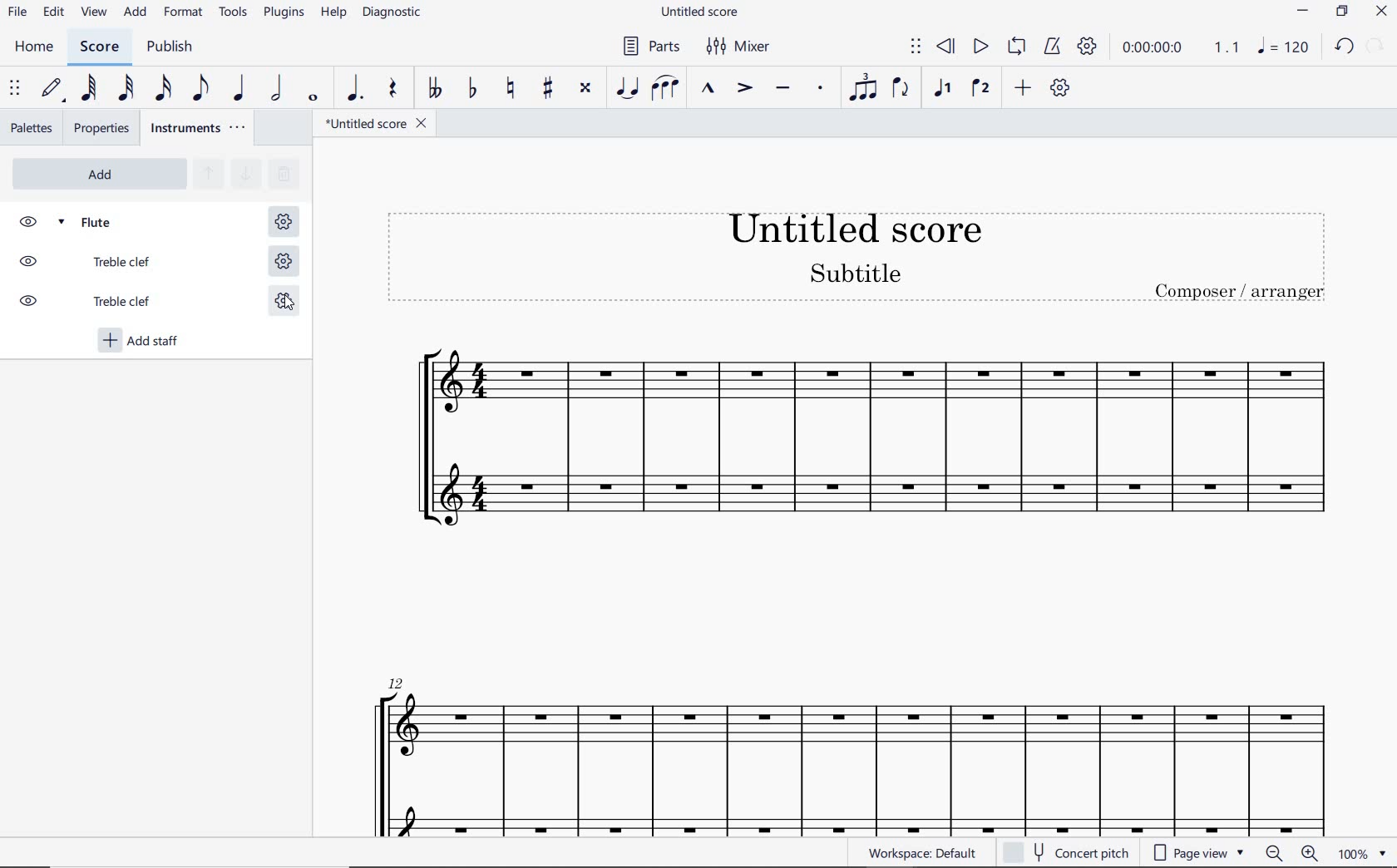 The image size is (1397, 868). What do you see at coordinates (587, 89) in the screenshot?
I see `TOGGLE DOUBLE-SHARP` at bounding box center [587, 89].